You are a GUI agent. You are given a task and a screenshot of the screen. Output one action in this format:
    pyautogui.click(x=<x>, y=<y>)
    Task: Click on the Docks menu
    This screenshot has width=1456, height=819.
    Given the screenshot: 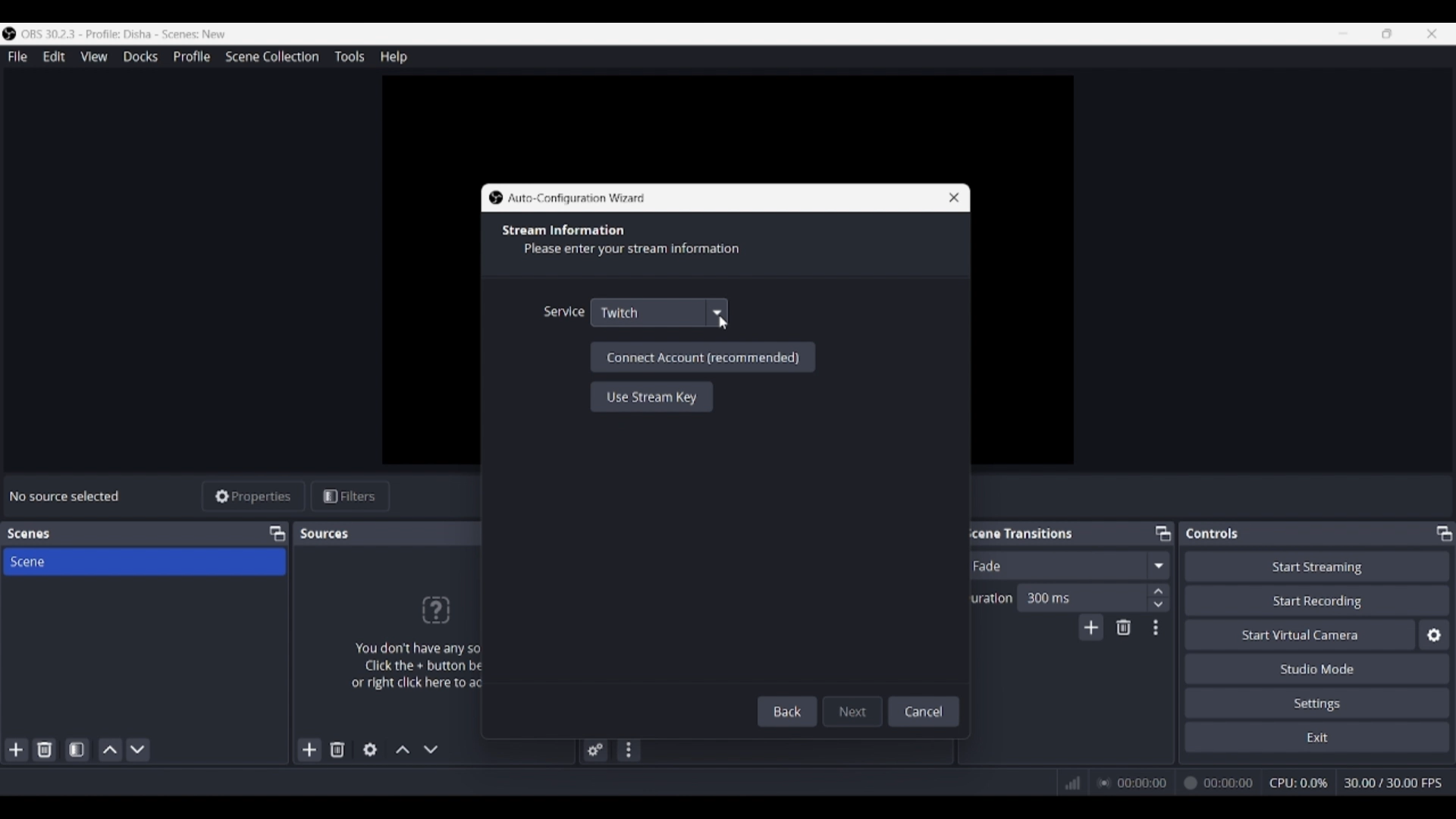 What is the action you would take?
    pyautogui.click(x=140, y=57)
    